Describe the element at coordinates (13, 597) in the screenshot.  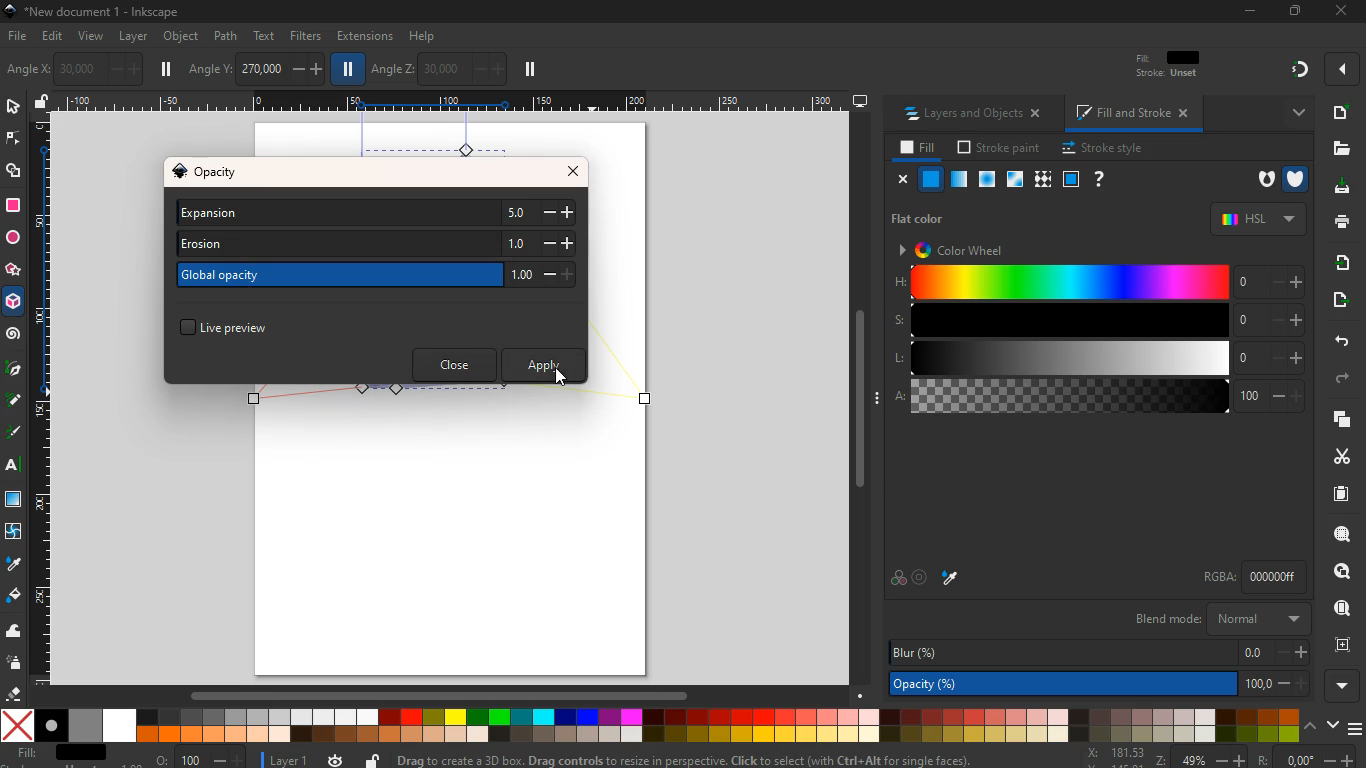
I see `paint` at that location.